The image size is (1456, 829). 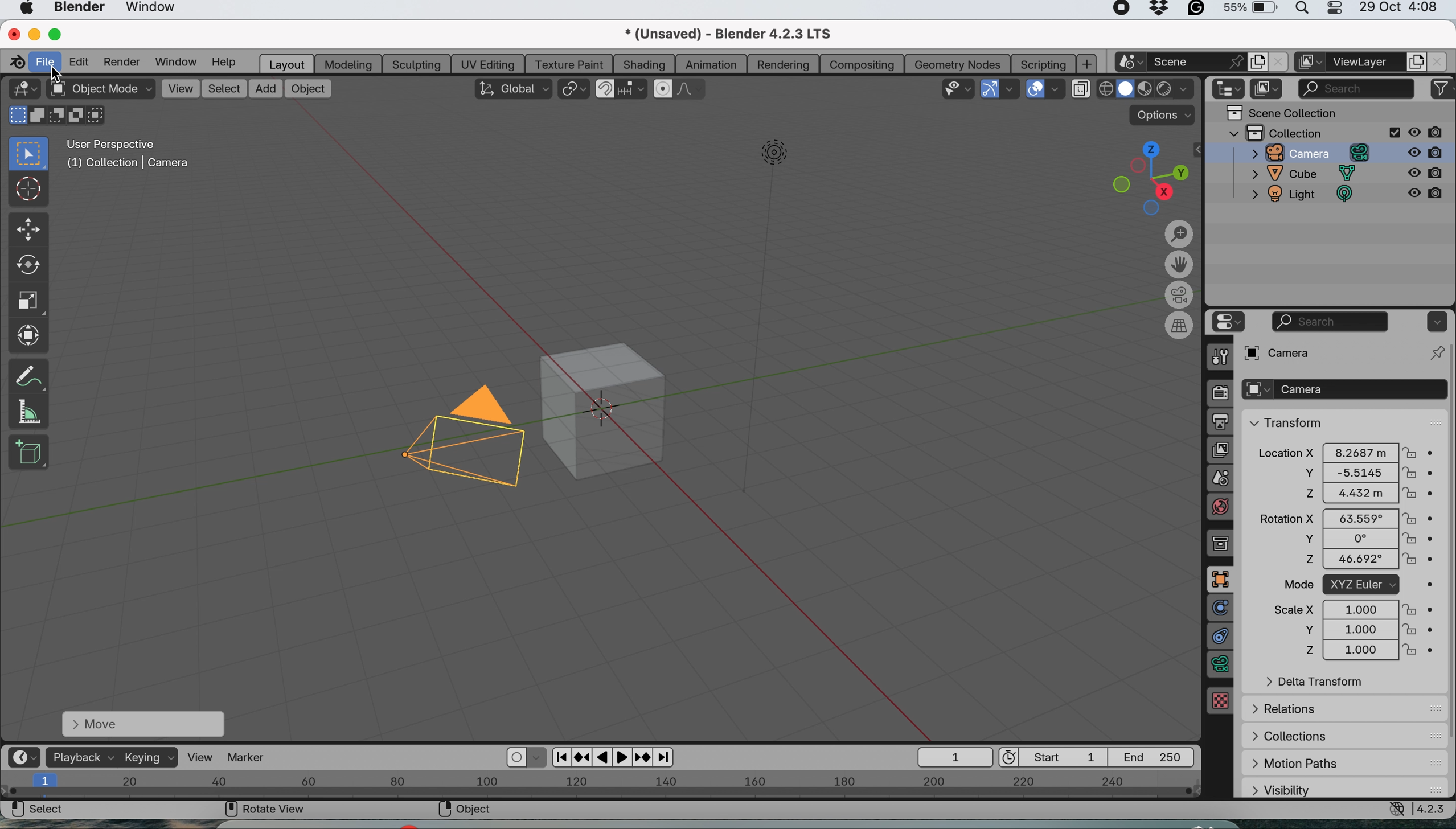 I want to click on grammarly, so click(x=1196, y=11).